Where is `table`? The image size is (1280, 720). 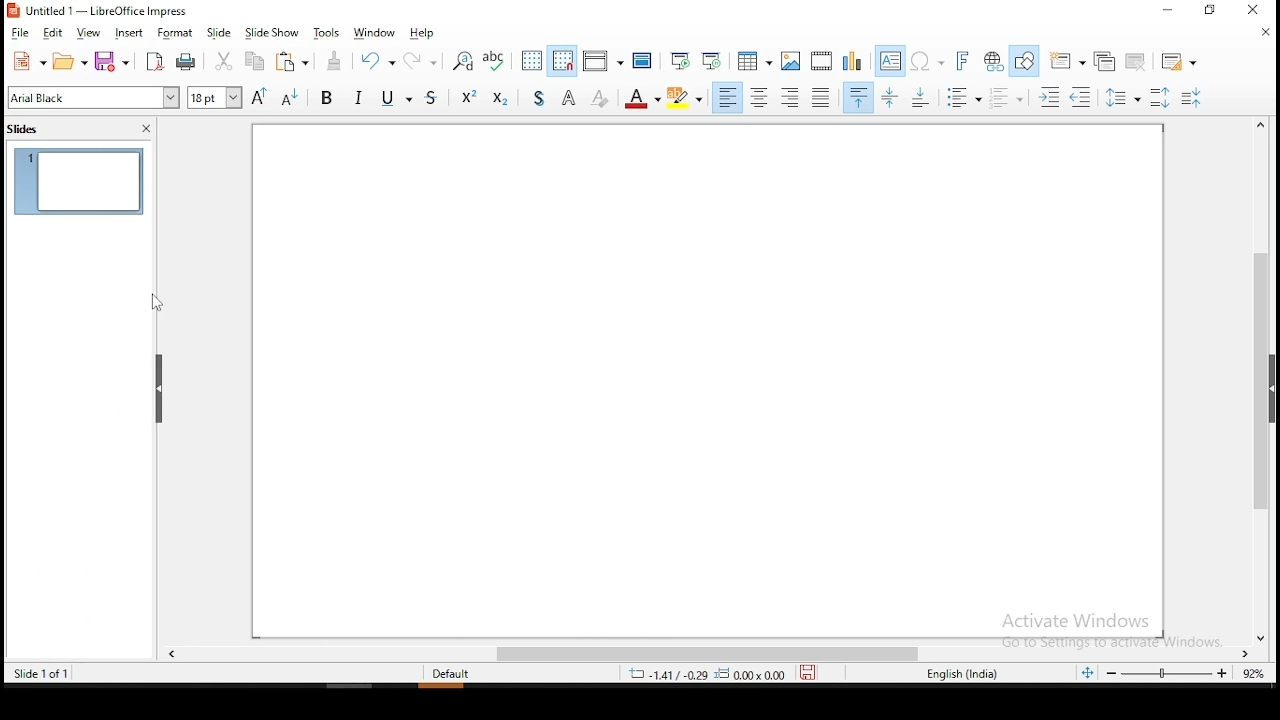 table is located at coordinates (753, 60).